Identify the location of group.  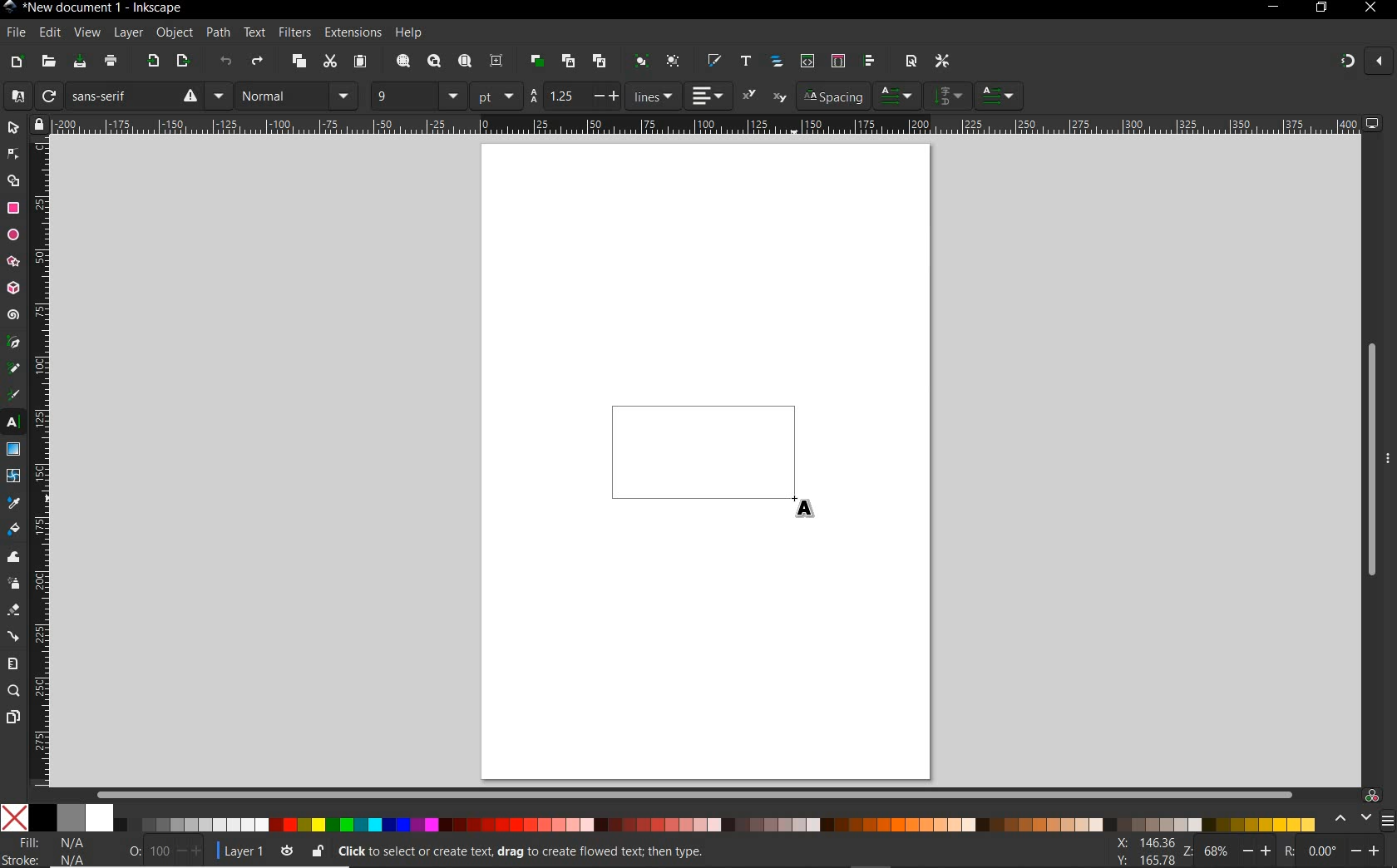
(639, 61).